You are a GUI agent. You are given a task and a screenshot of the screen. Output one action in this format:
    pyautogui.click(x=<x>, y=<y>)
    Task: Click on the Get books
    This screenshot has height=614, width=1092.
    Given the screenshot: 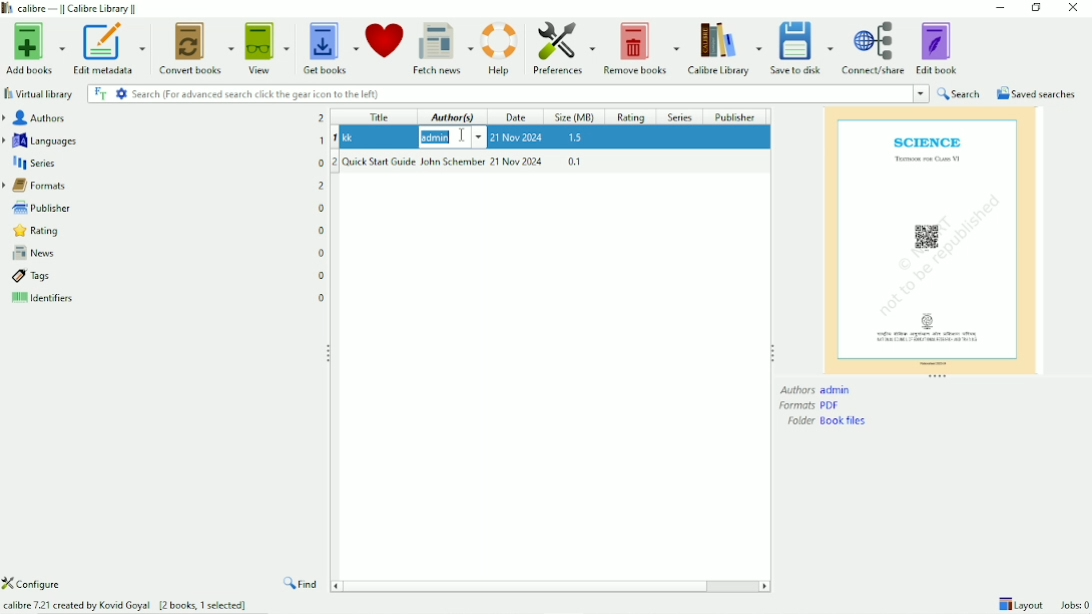 What is the action you would take?
    pyautogui.click(x=329, y=49)
    